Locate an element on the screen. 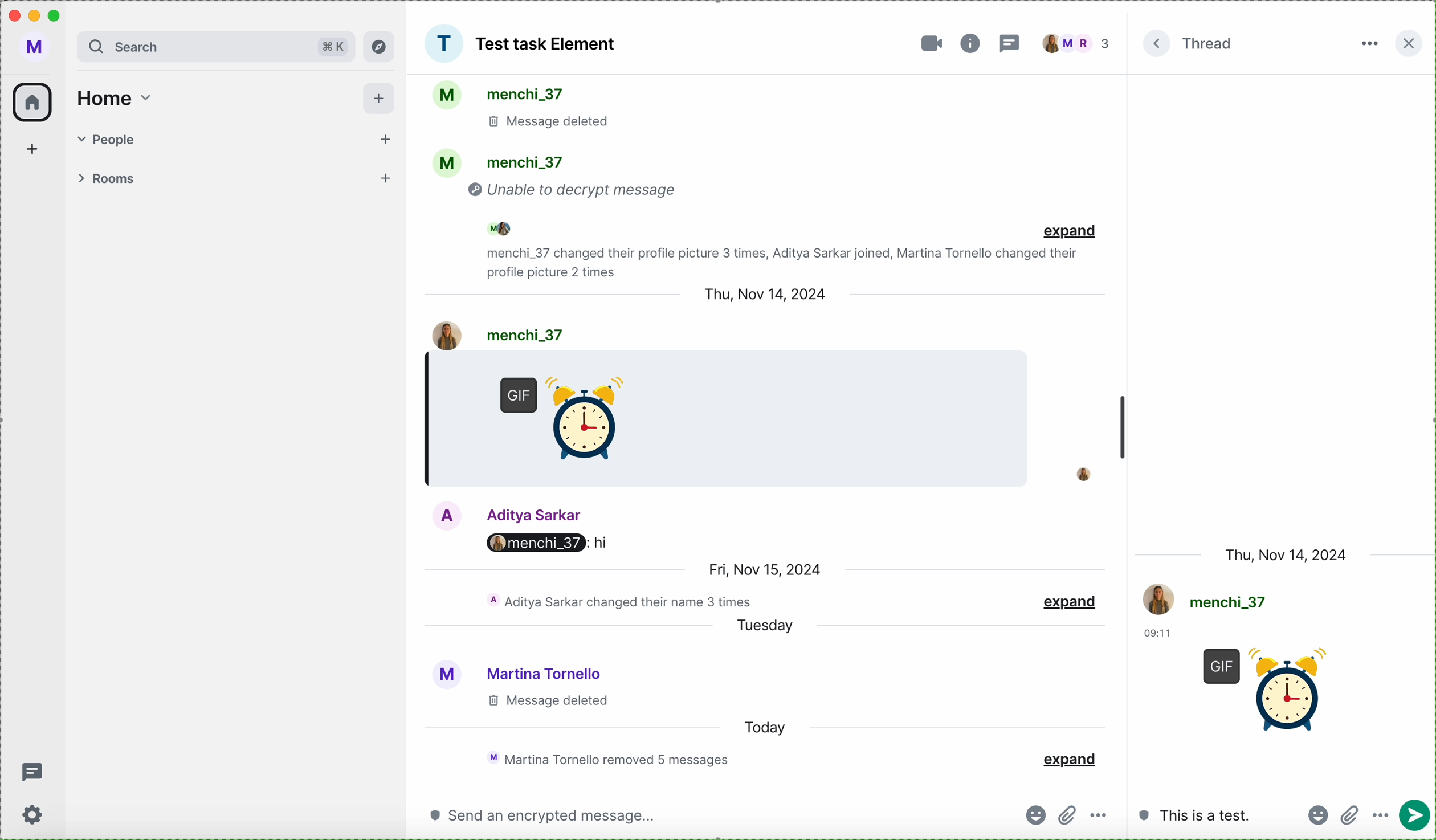  attach files is located at coordinates (1067, 813).